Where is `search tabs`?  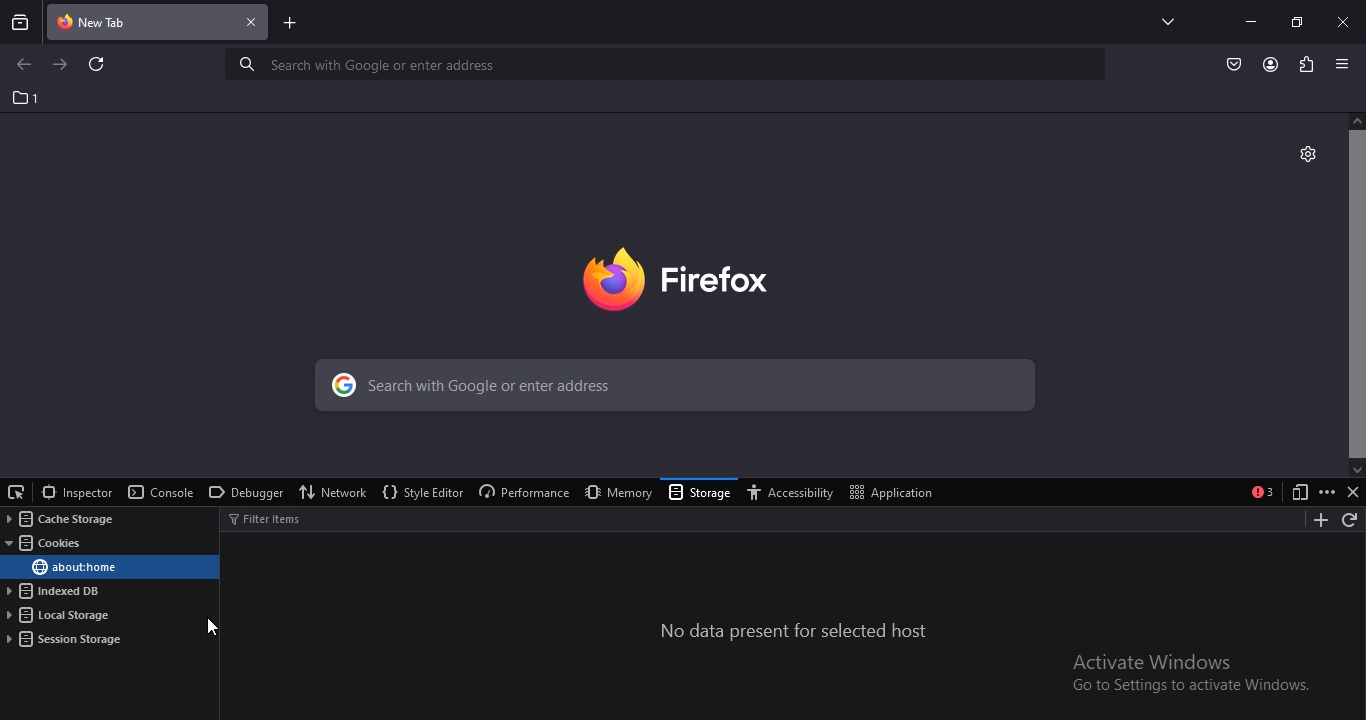
search tabs is located at coordinates (21, 22).